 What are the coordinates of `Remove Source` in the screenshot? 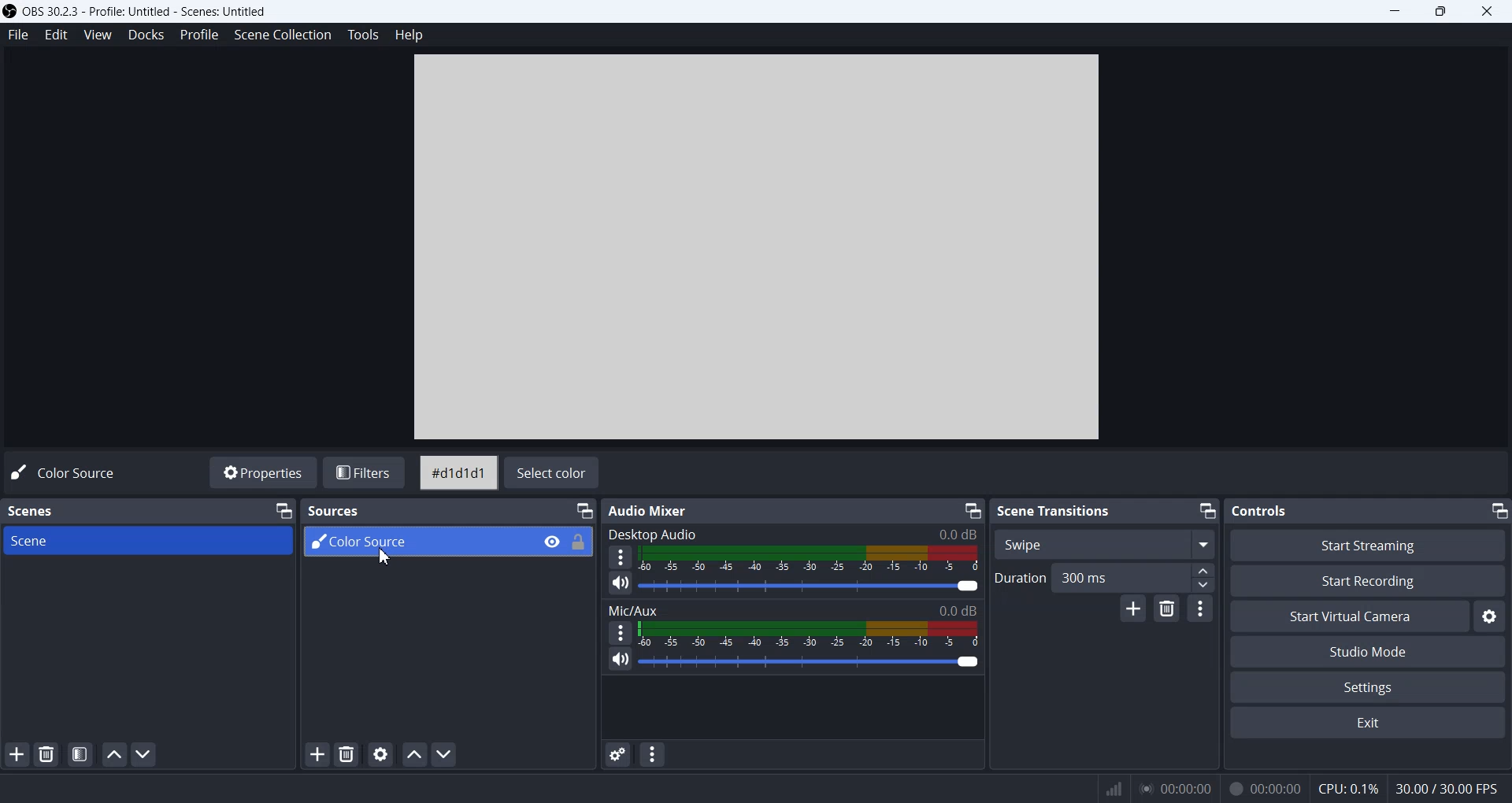 It's located at (346, 754).